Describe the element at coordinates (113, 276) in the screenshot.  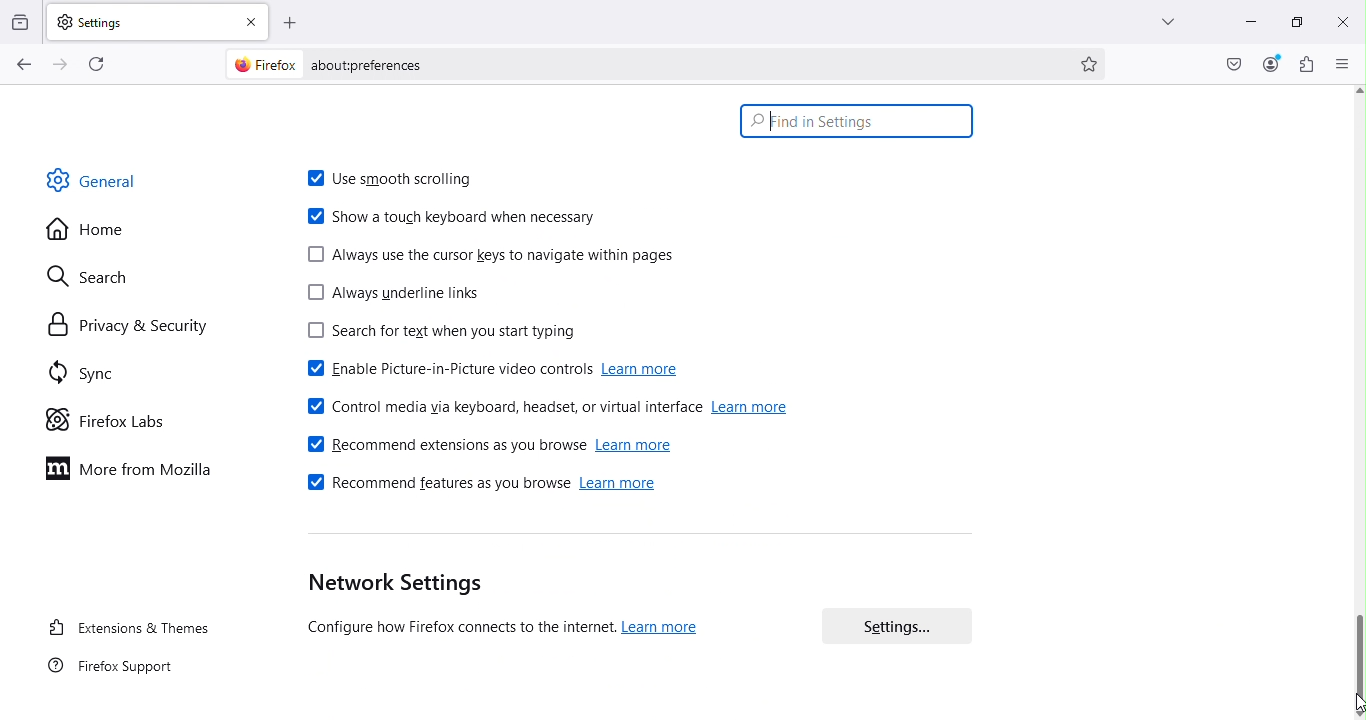
I see `Search` at that location.